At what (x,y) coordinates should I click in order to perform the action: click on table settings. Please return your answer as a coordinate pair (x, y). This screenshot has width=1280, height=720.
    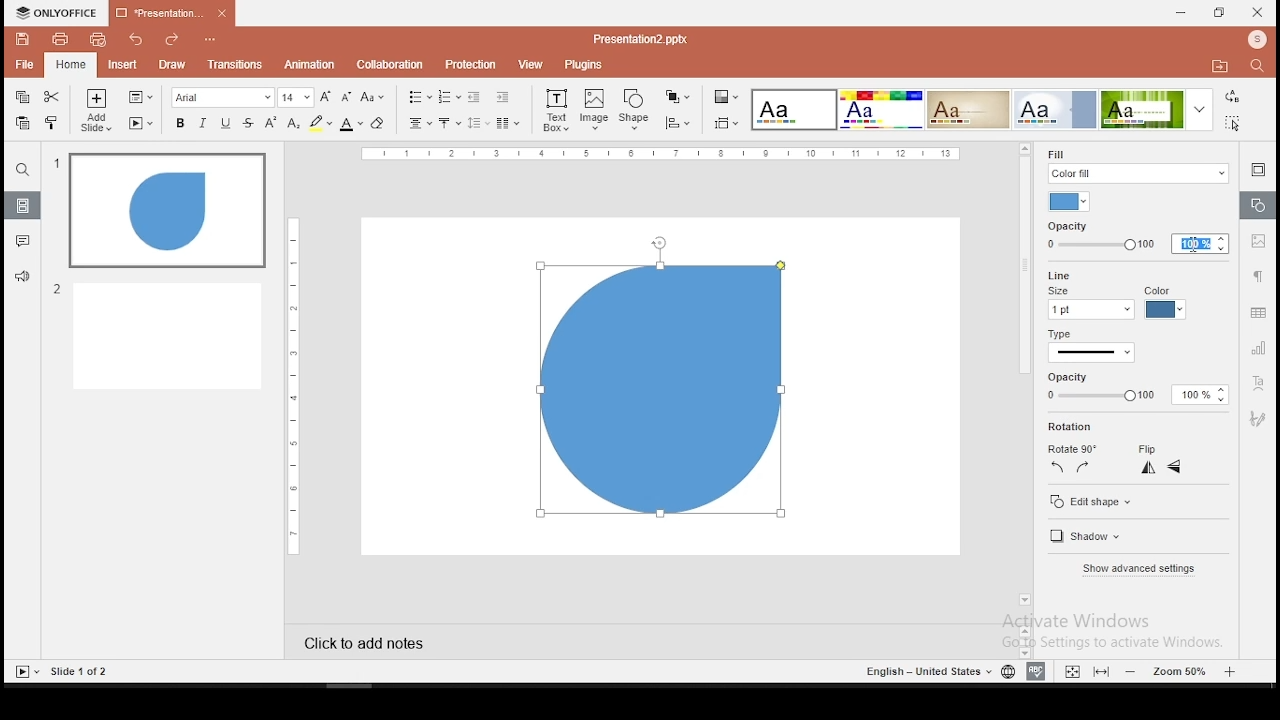
    Looking at the image, I should click on (1257, 314).